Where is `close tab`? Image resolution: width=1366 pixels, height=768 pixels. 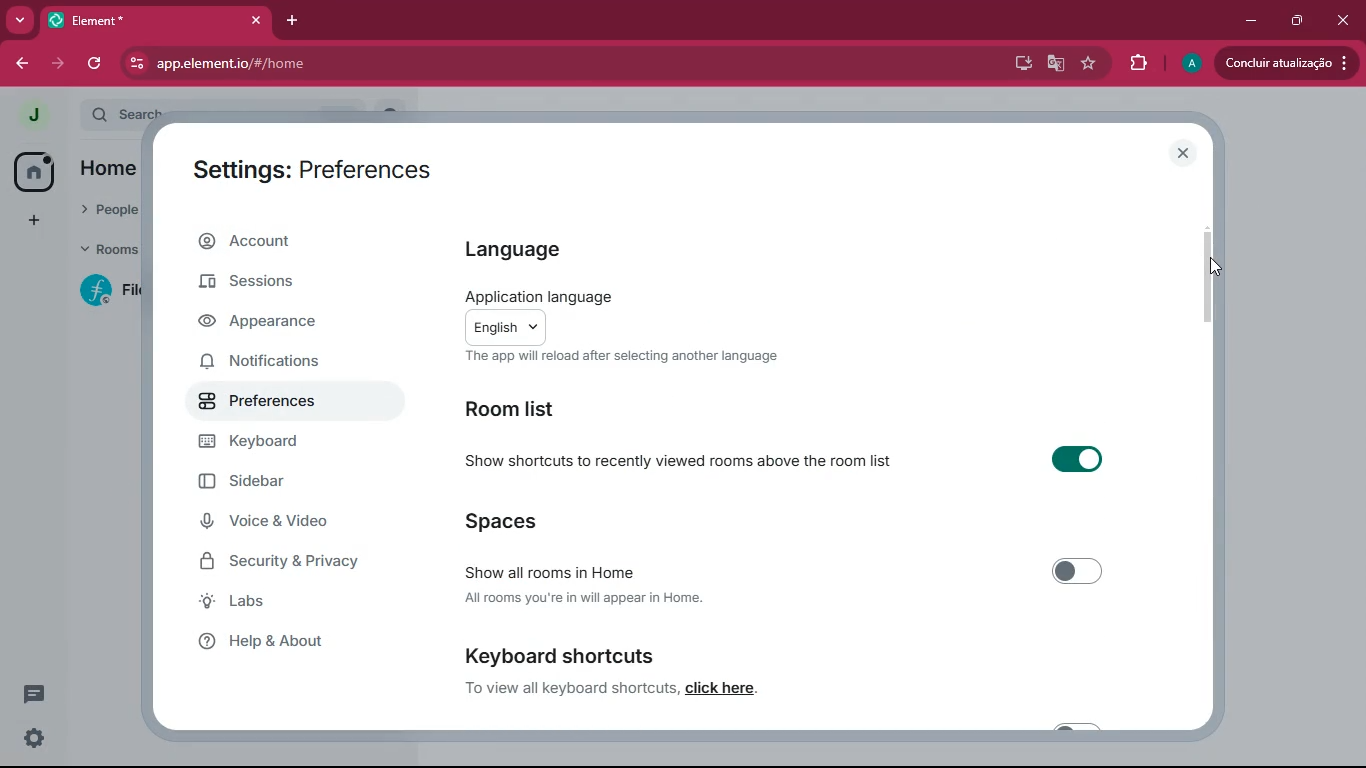 close tab is located at coordinates (256, 21).